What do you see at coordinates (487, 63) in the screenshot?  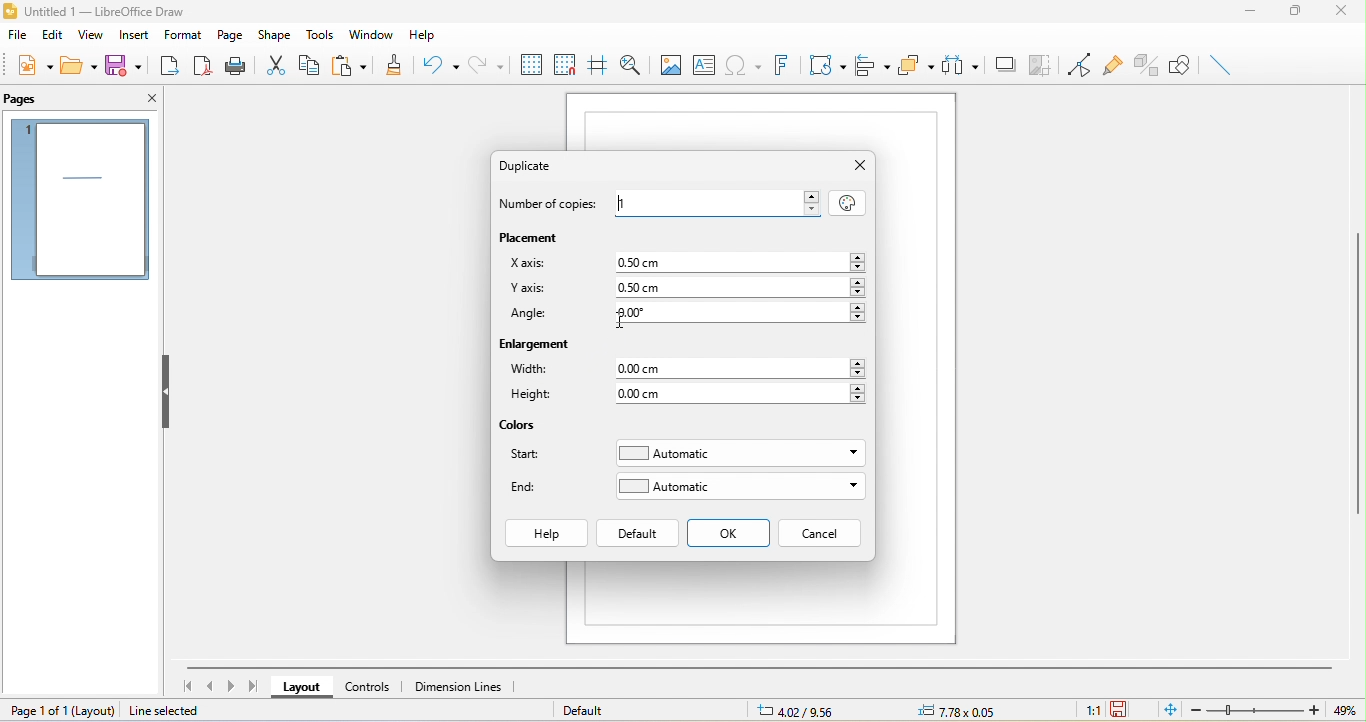 I see `redo` at bounding box center [487, 63].